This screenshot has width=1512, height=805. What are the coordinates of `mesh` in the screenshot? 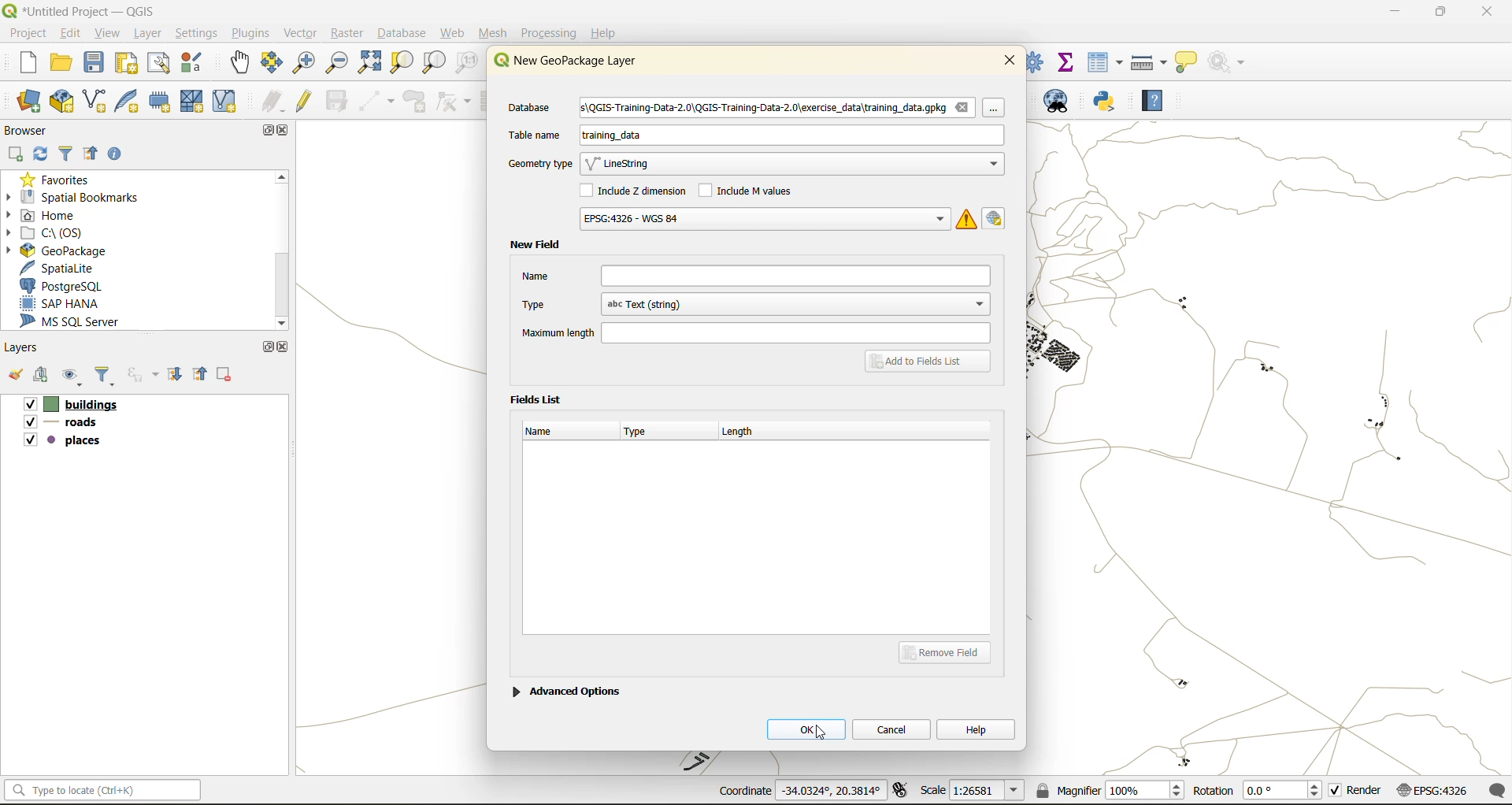 It's located at (495, 33).